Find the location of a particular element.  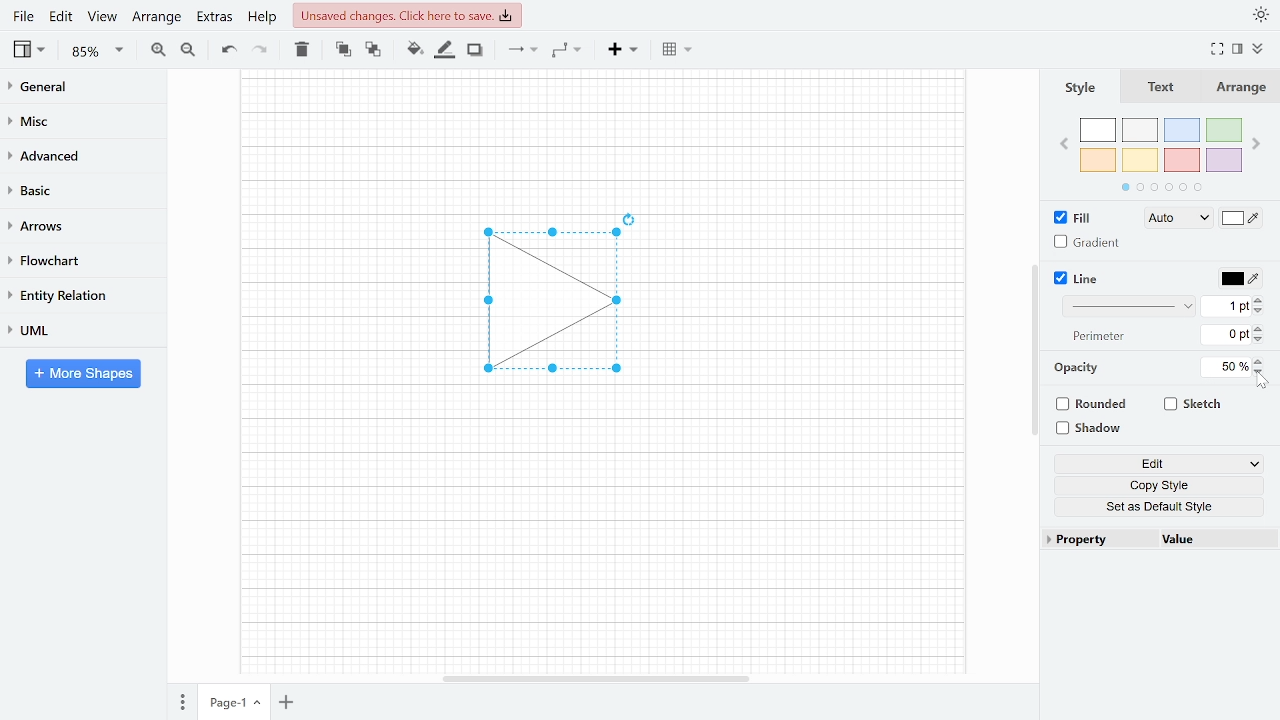

Shadow is located at coordinates (1096, 429).